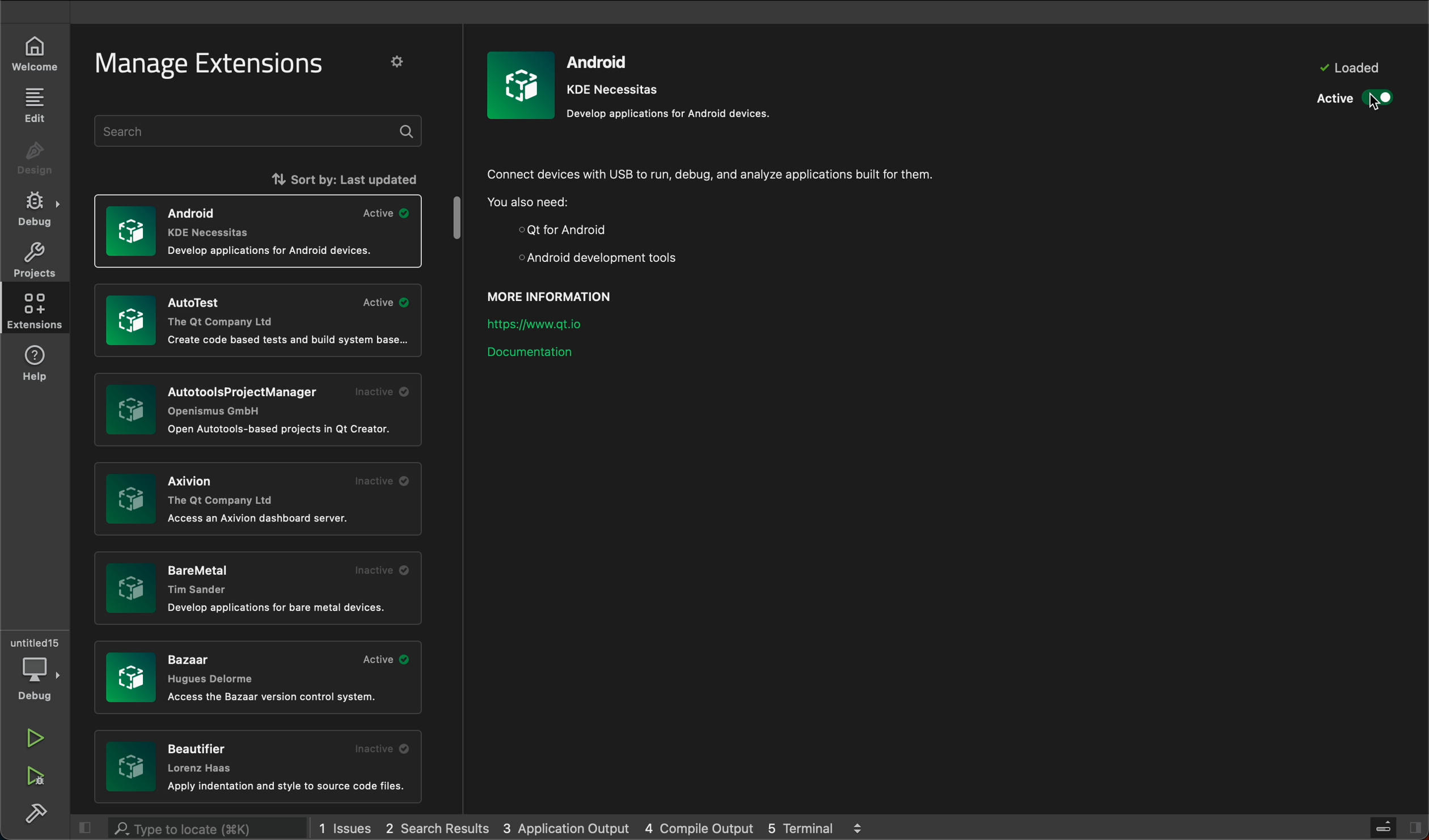 This screenshot has width=1429, height=840. Describe the element at coordinates (36, 778) in the screenshot. I see `run and build` at that location.